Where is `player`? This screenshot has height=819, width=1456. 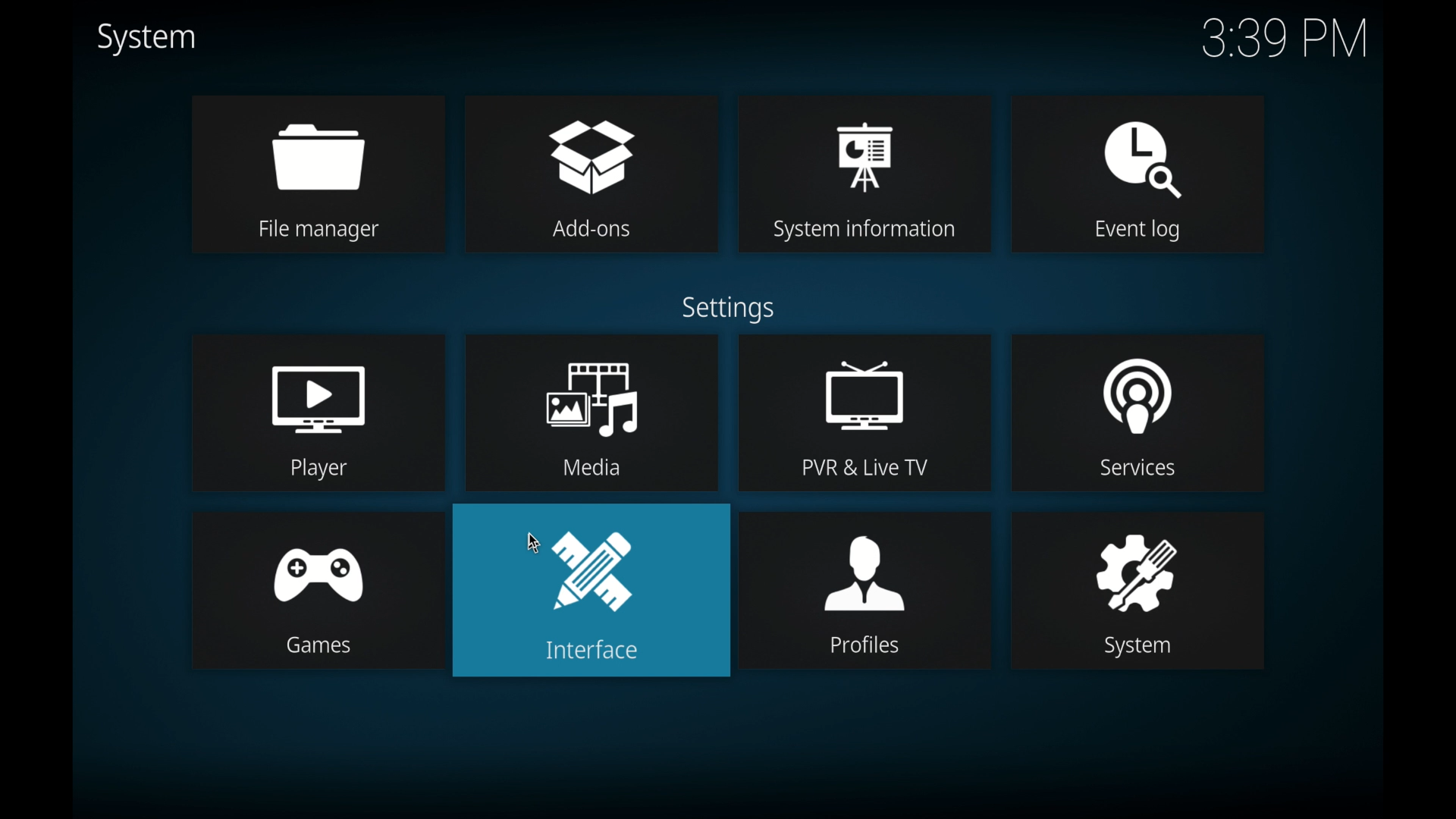 player is located at coordinates (315, 411).